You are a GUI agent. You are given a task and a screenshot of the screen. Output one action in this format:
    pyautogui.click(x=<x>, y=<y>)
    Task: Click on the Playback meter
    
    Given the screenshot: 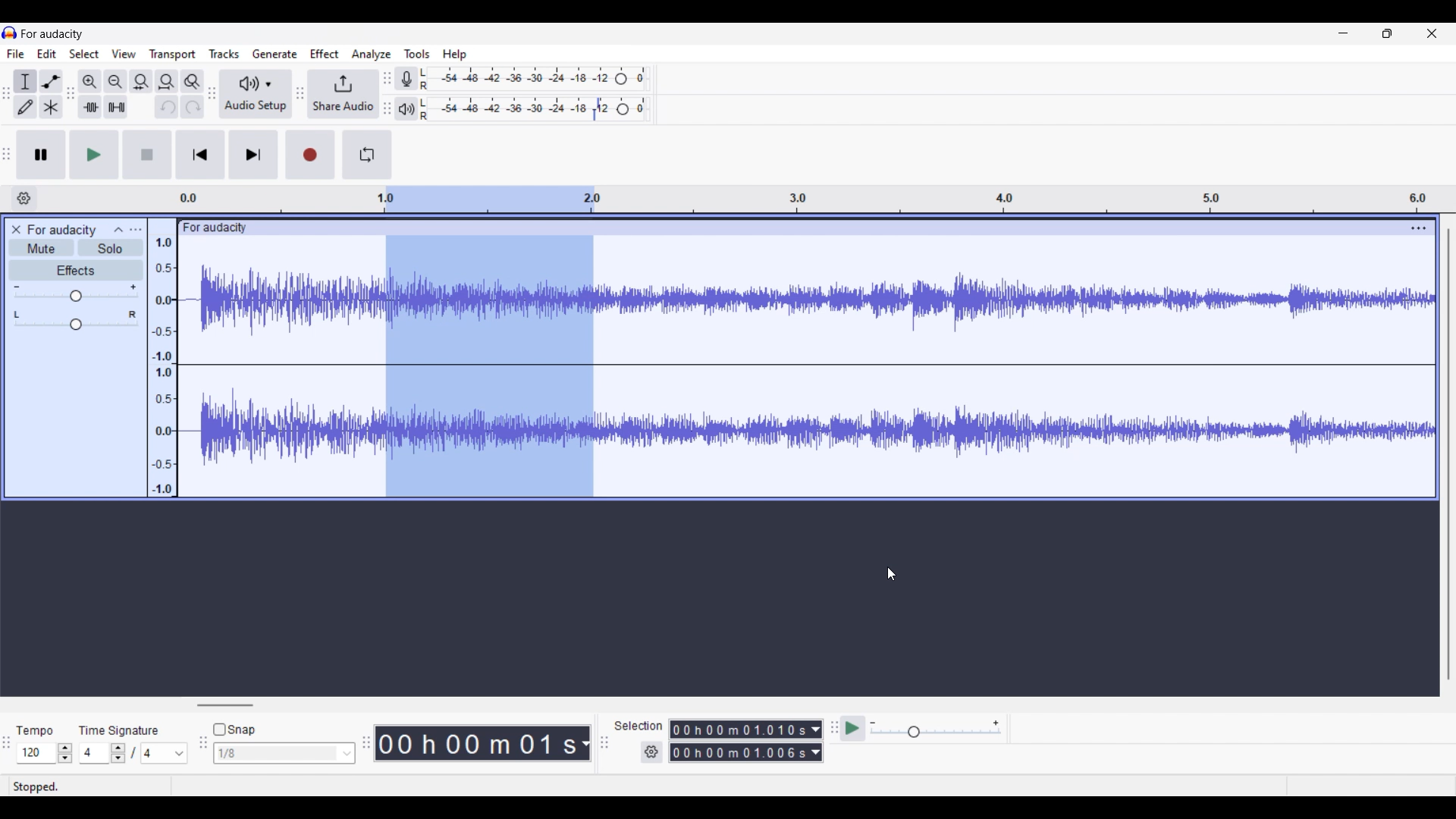 What is the action you would take?
    pyautogui.click(x=405, y=108)
    